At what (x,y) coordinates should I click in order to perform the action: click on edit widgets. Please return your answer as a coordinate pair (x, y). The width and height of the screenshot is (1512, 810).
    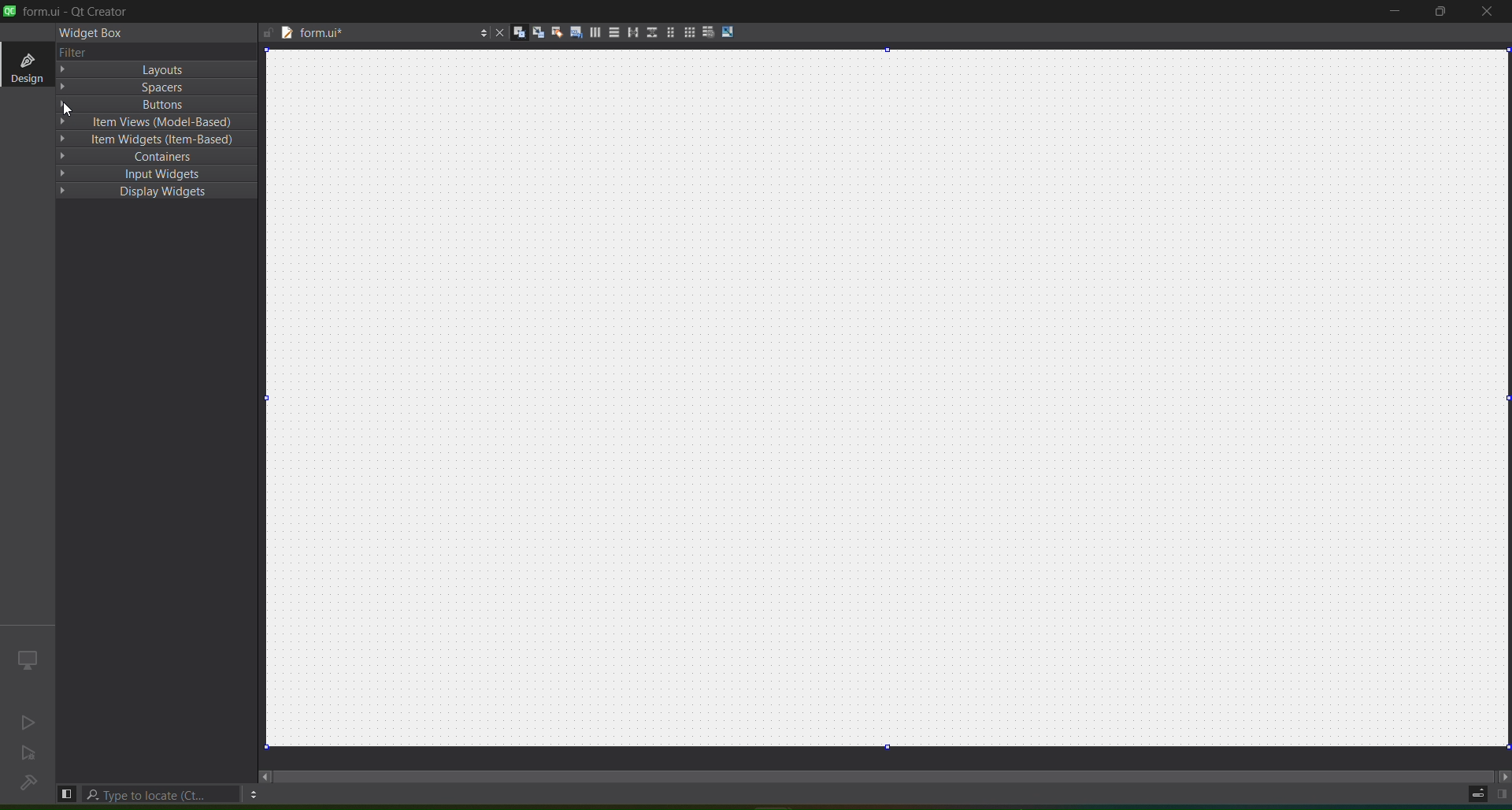
    Looking at the image, I should click on (515, 32).